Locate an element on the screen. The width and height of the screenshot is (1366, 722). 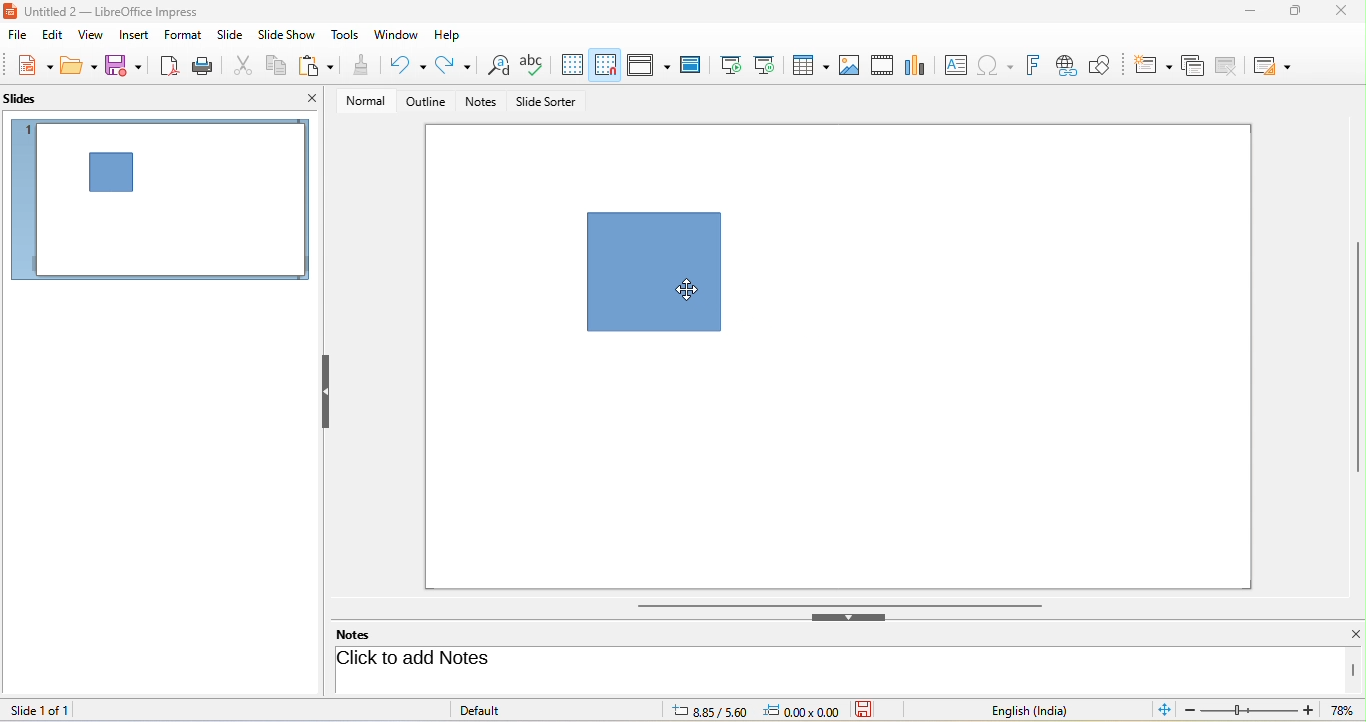
spelling is located at coordinates (535, 65).